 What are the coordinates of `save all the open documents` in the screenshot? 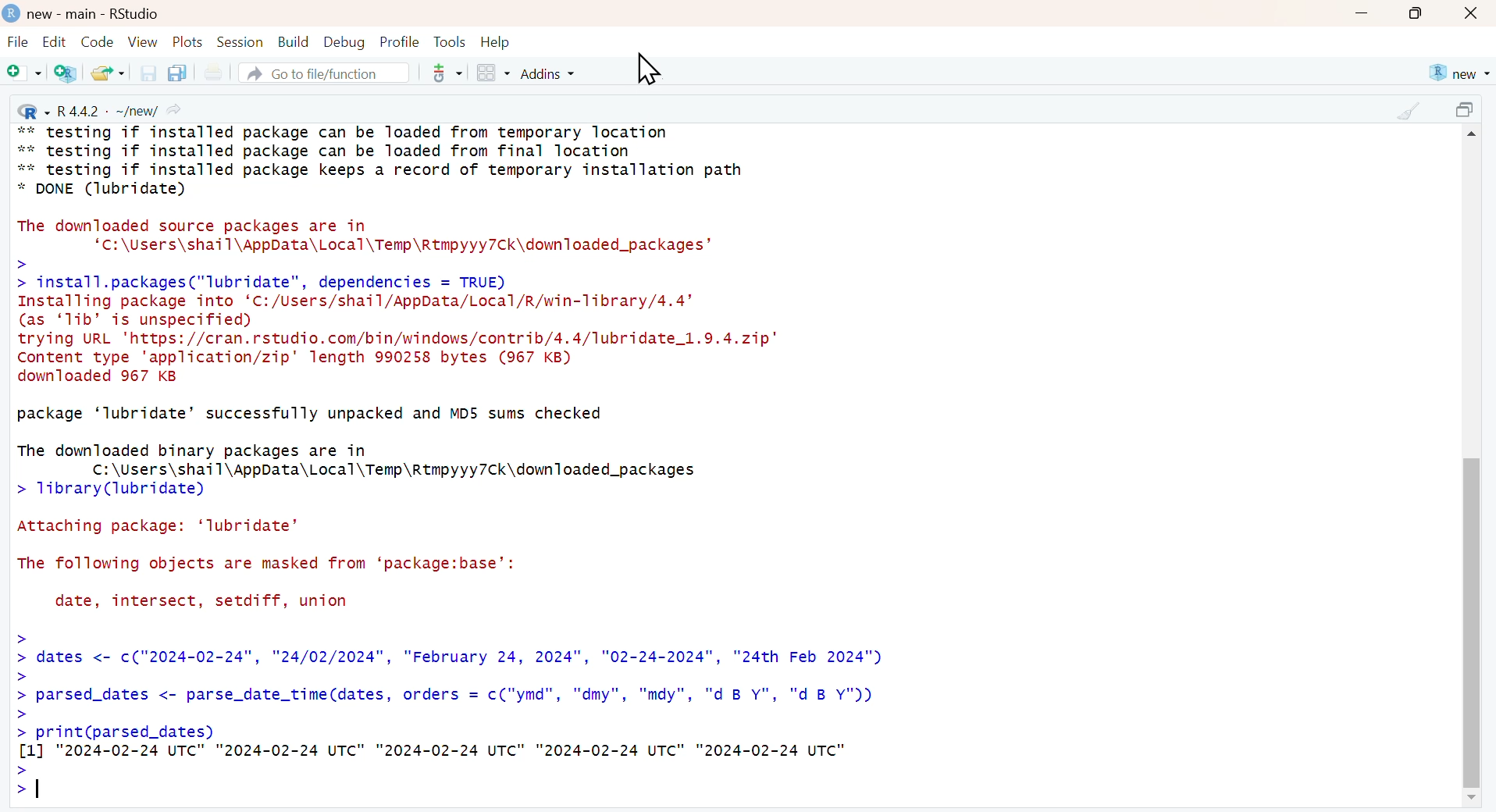 It's located at (176, 72).